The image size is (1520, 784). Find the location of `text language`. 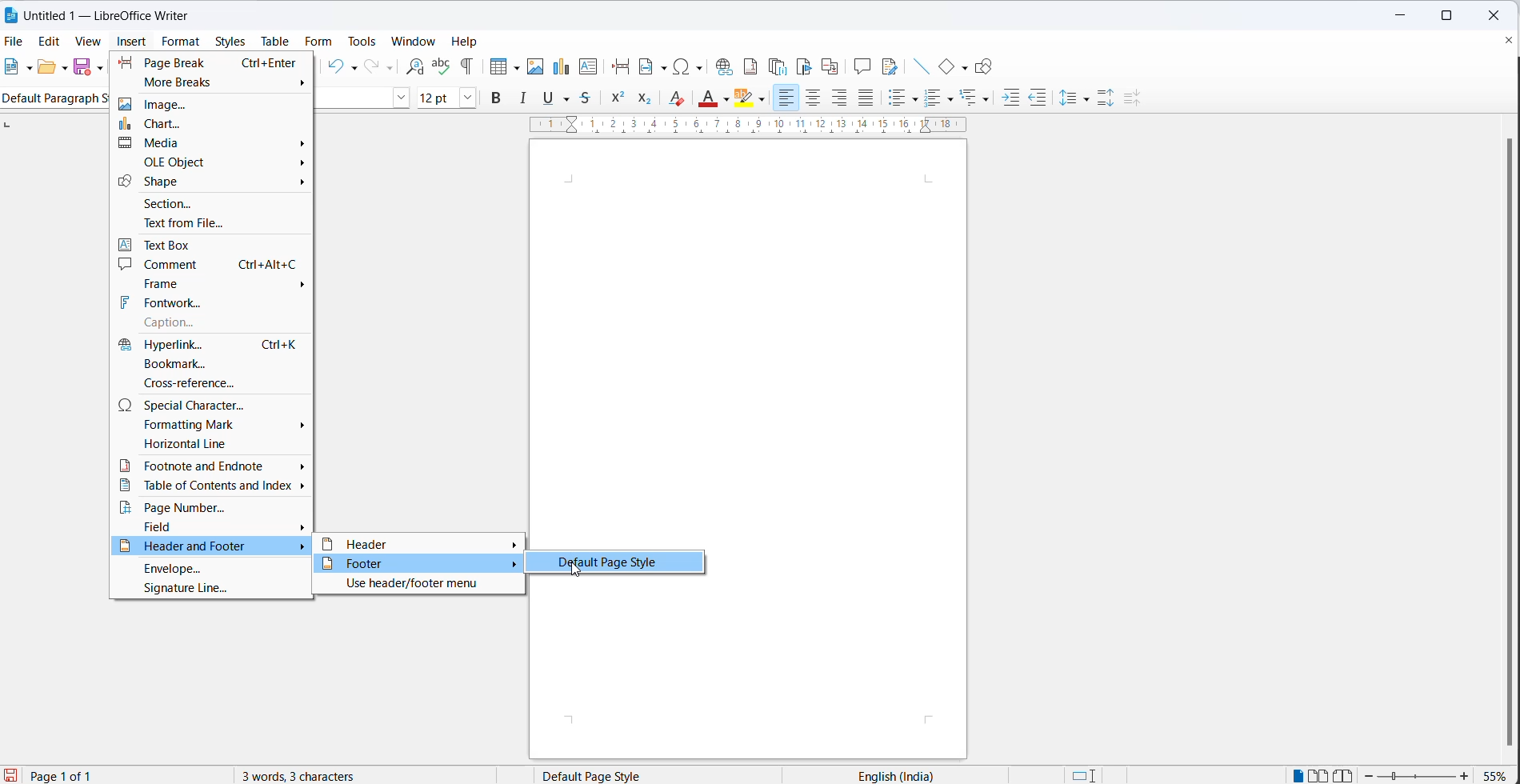

text language is located at coordinates (915, 774).